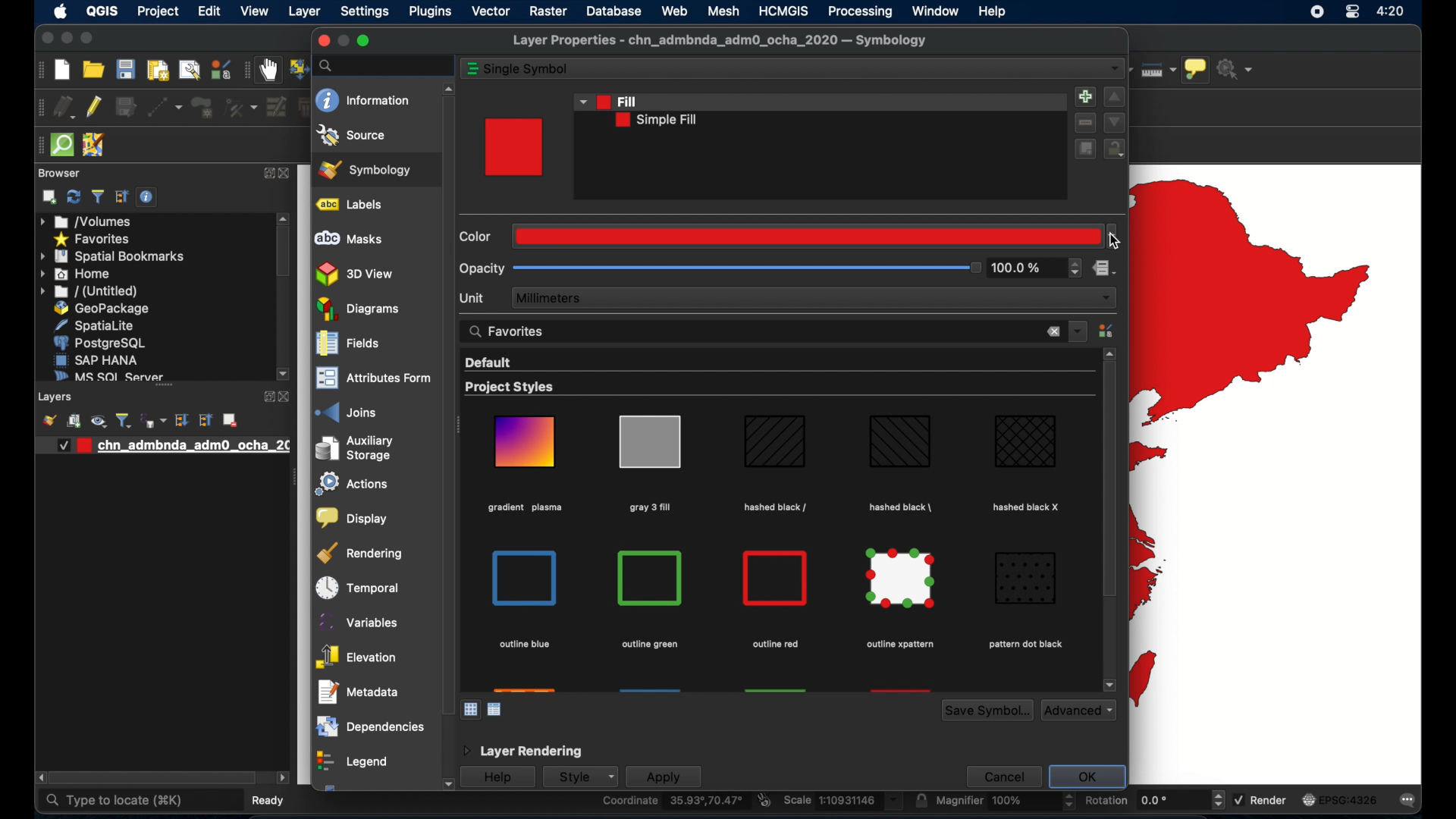 This screenshot has width=1456, height=819. Describe the element at coordinates (446, 86) in the screenshot. I see `scroll up arrow` at that location.